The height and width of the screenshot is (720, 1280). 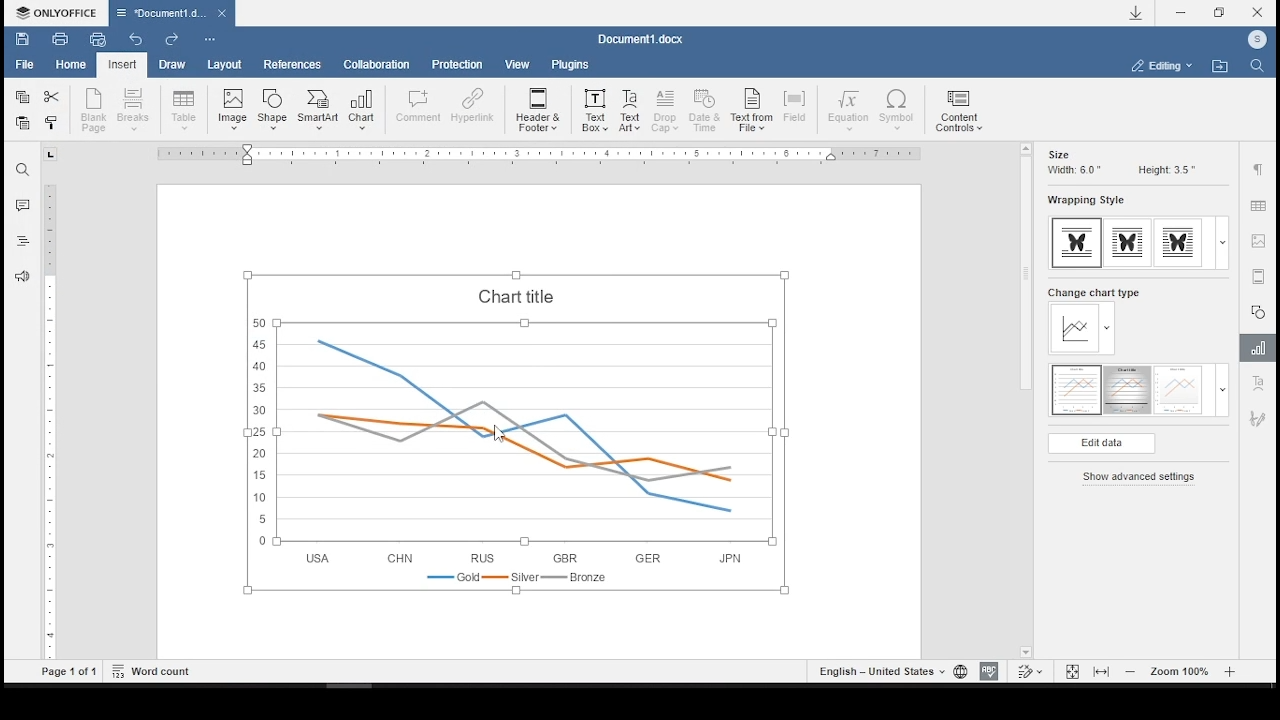 I want to click on chart style 1, so click(x=1077, y=390).